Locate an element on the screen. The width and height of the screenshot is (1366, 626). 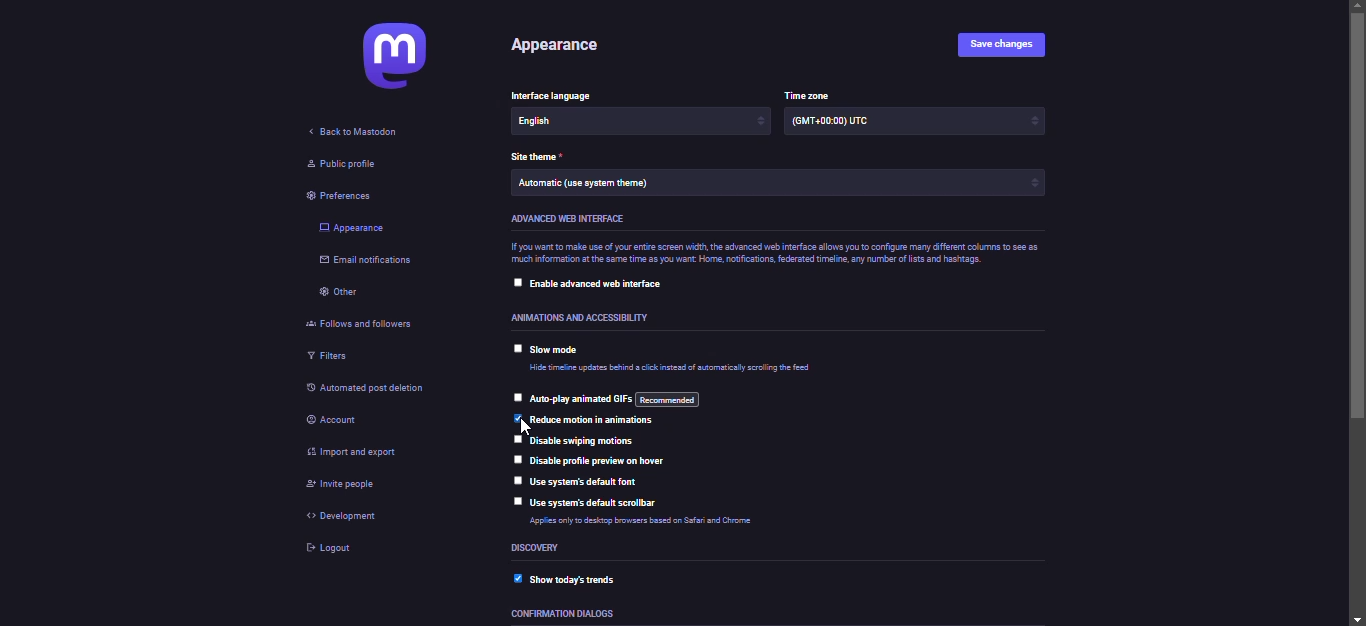
disable swiping motions is located at coordinates (581, 440).